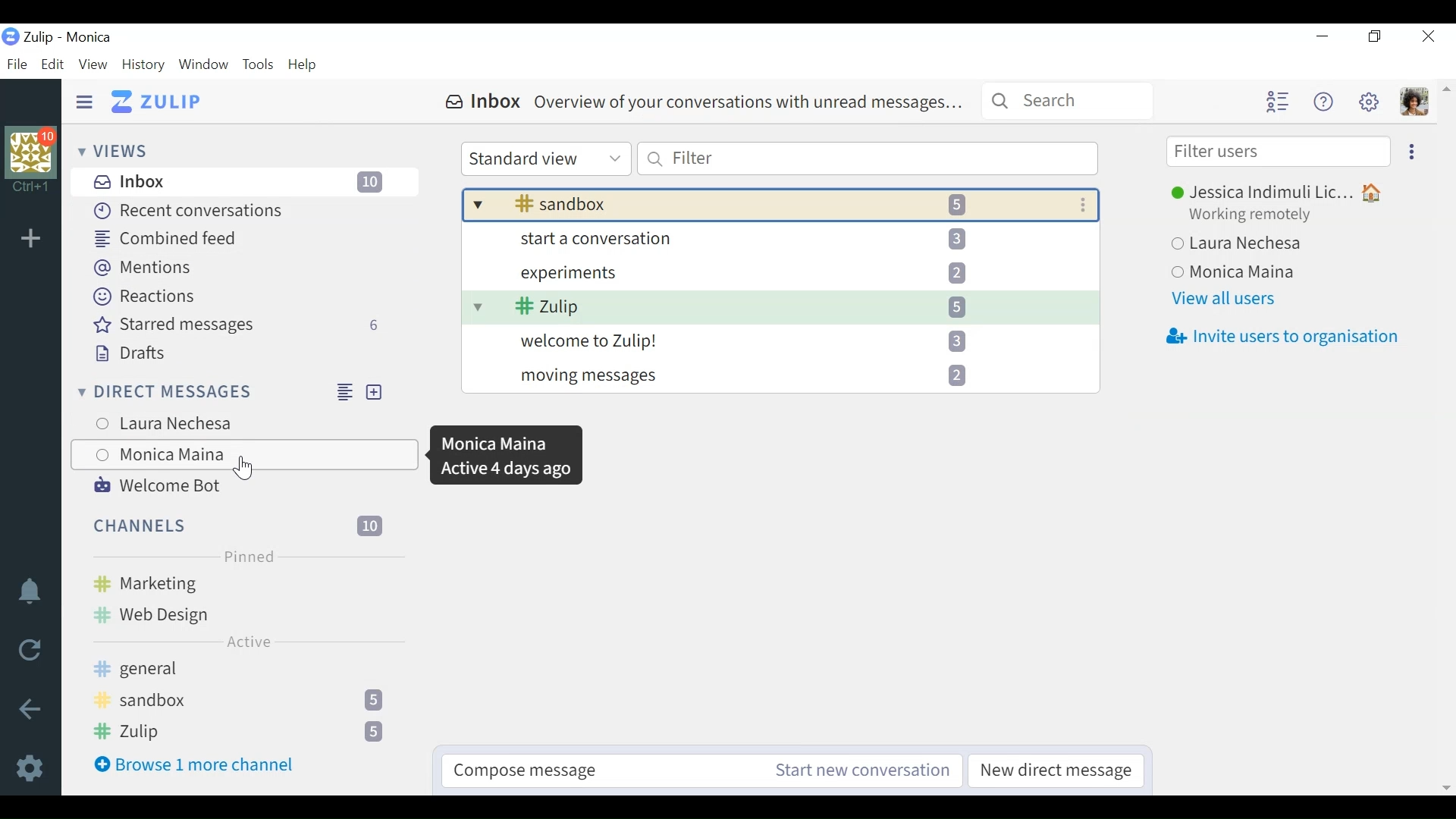 The width and height of the screenshot is (1456, 819). I want to click on File , so click(18, 64).